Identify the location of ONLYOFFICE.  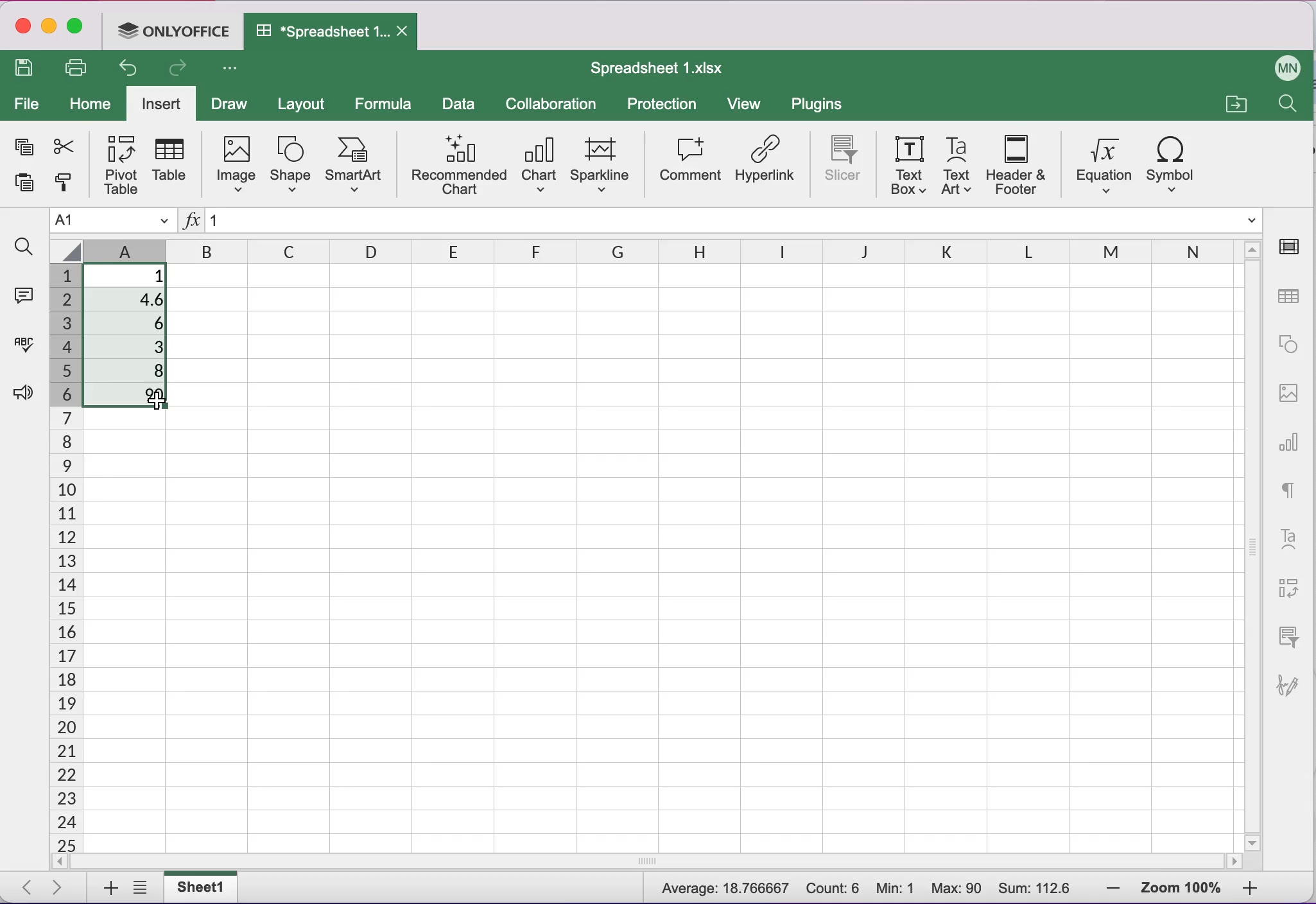
(175, 31).